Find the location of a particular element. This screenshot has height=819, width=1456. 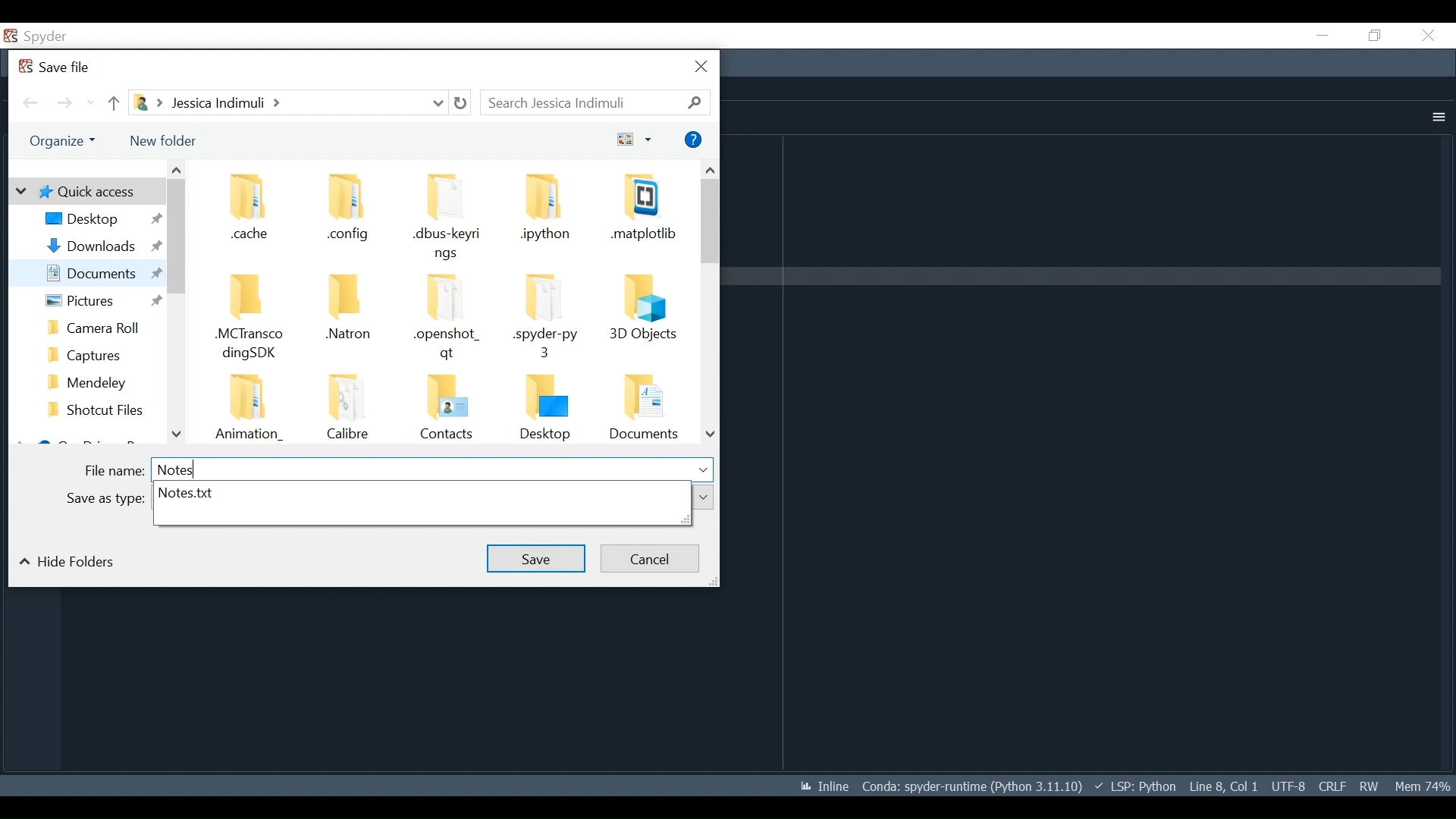

Vertical Scroll bar is located at coordinates (176, 237).